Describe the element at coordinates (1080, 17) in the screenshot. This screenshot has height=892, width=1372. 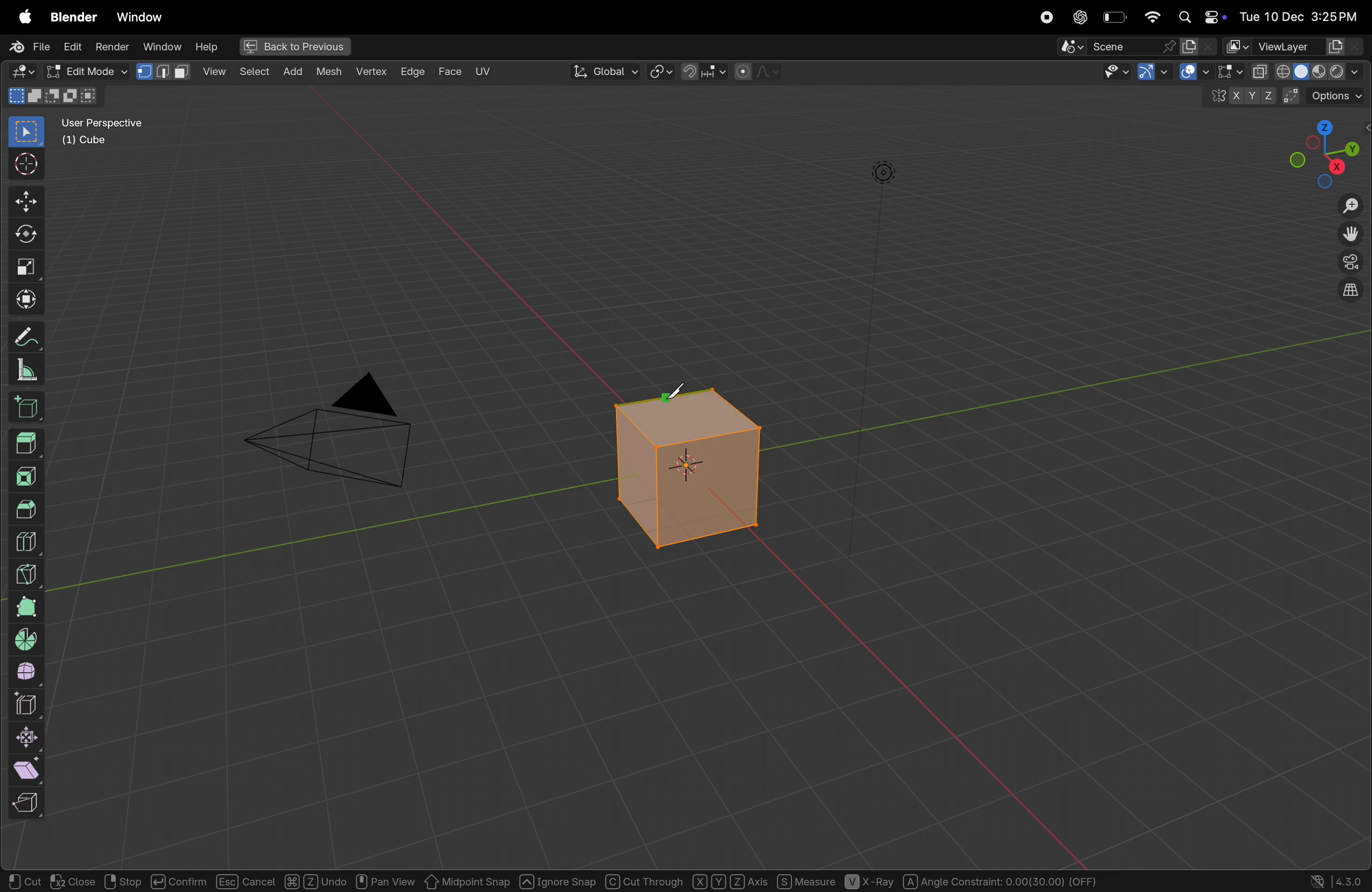
I see `chatgpt` at that location.